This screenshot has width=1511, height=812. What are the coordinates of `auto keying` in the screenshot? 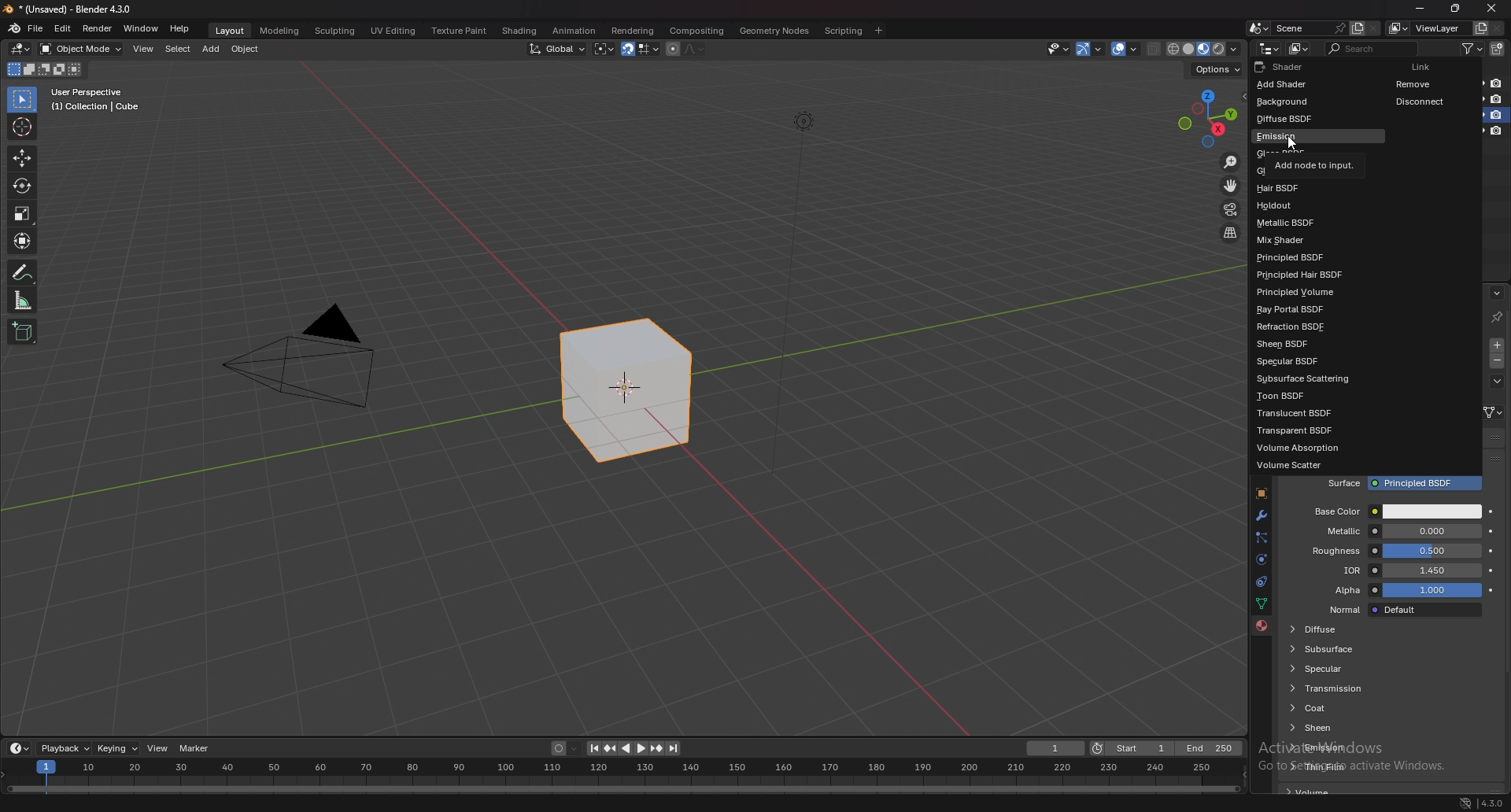 It's located at (564, 749).